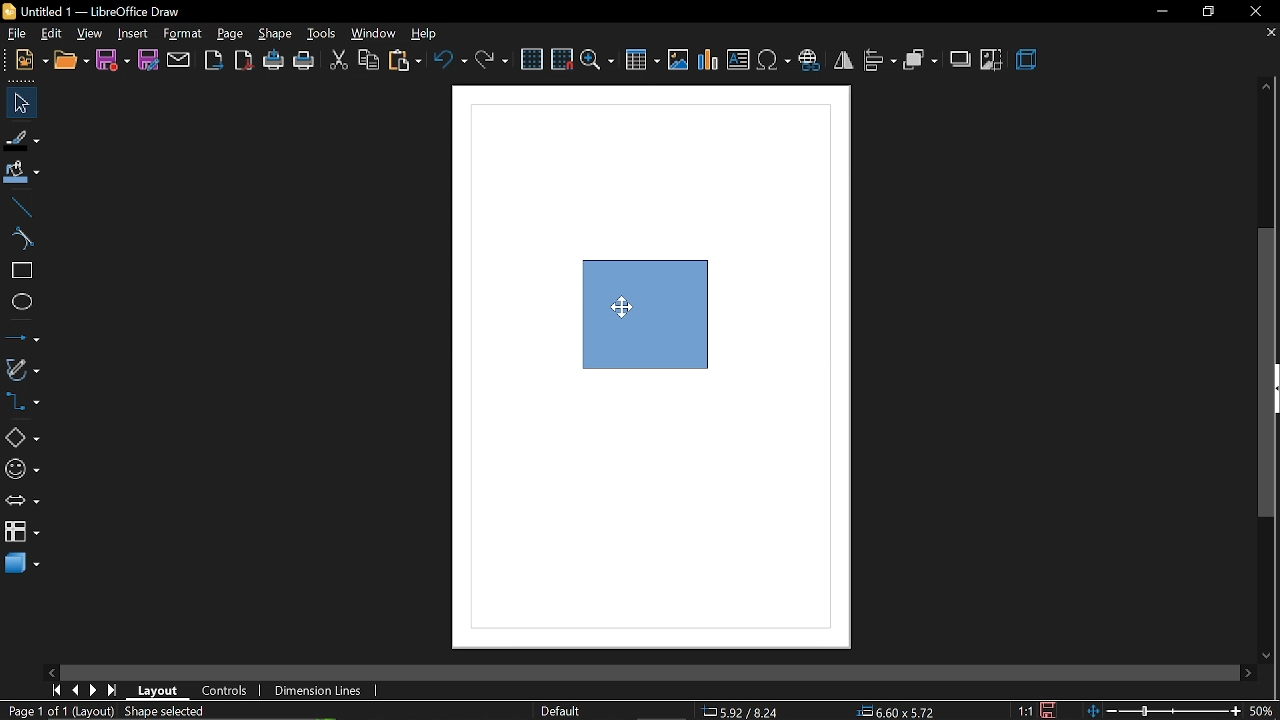 Image resolution: width=1280 pixels, height=720 pixels. What do you see at coordinates (232, 35) in the screenshot?
I see `page` at bounding box center [232, 35].